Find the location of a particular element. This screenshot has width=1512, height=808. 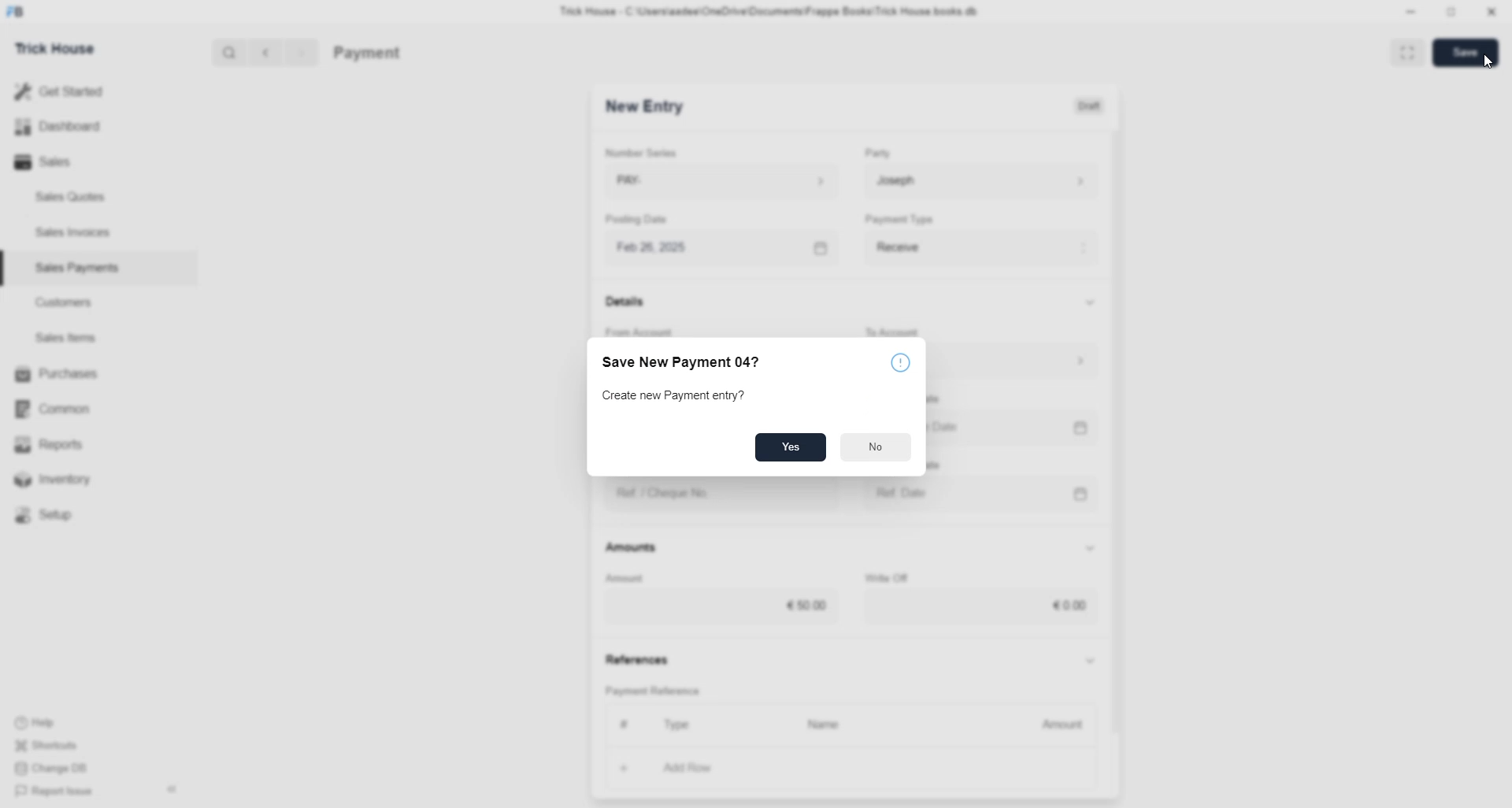

Customers is located at coordinates (69, 302).